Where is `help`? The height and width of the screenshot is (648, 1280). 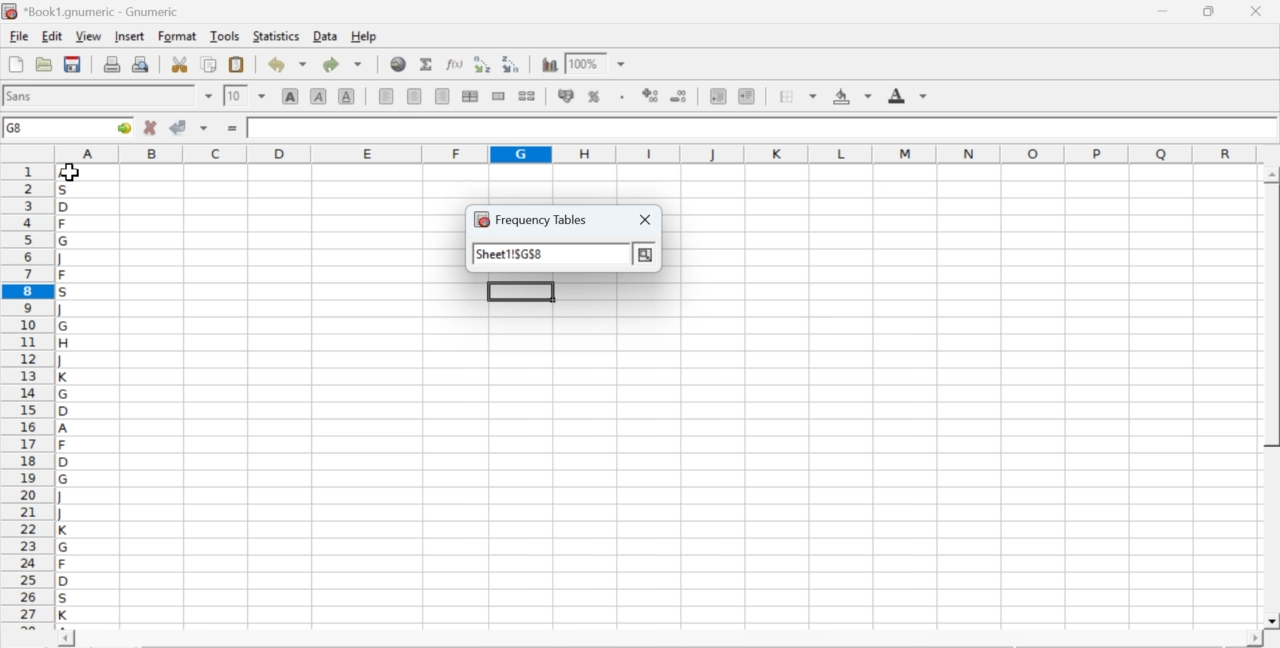 help is located at coordinates (366, 37).